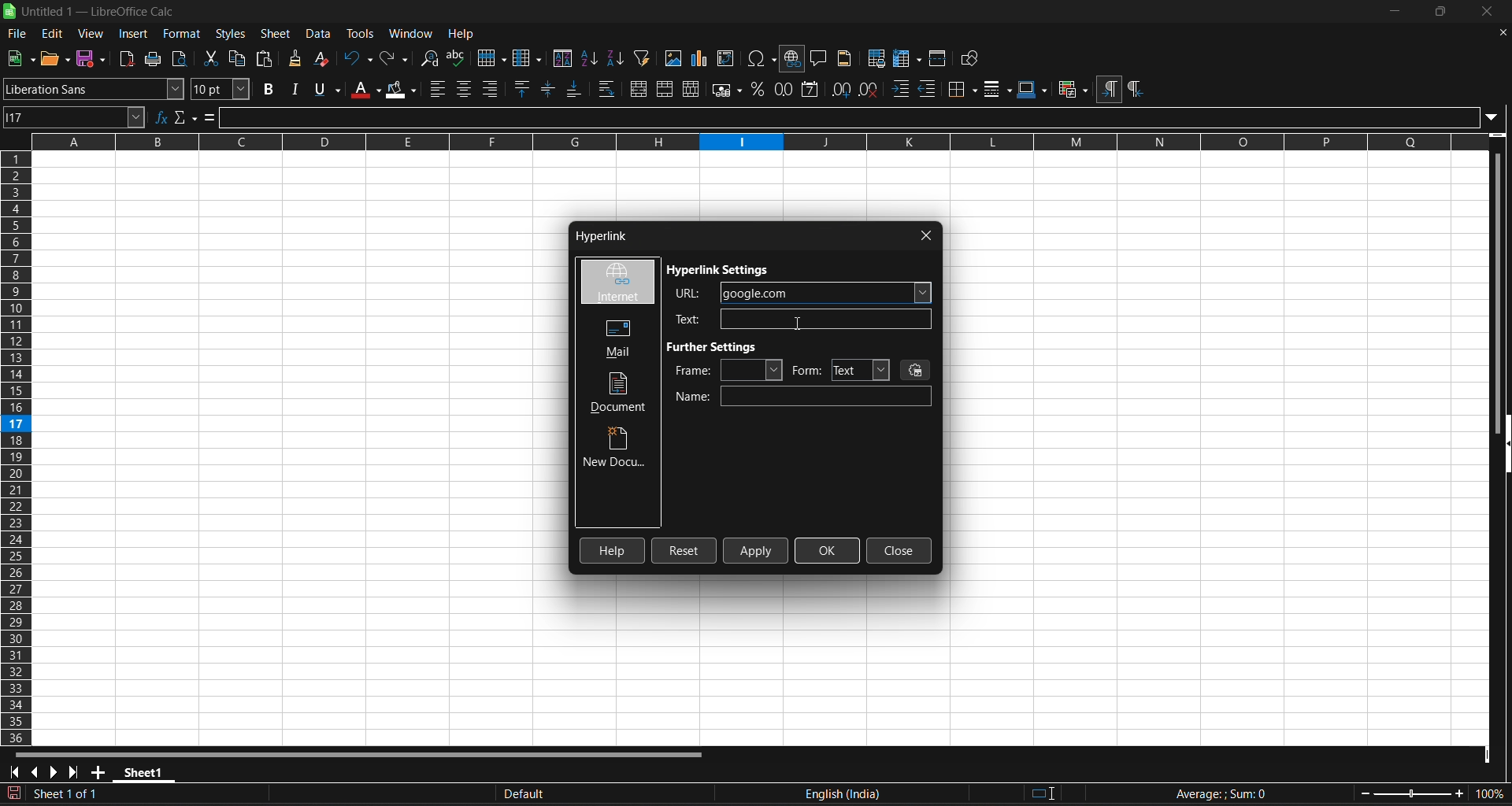  What do you see at coordinates (684, 551) in the screenshot?
I see `reset` at bounding box center [684, 551].